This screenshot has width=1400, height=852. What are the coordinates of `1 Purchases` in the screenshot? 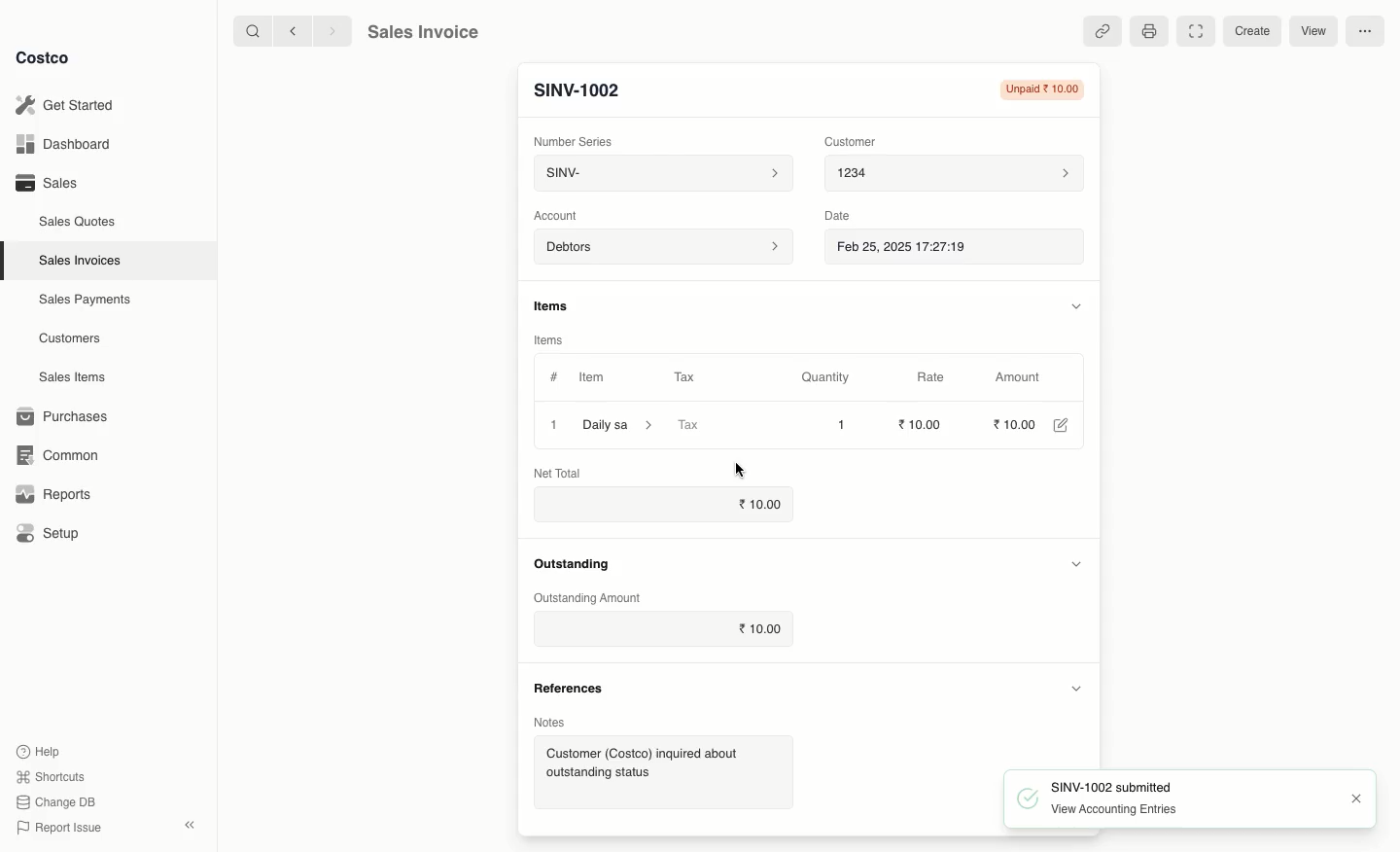 It's located at (67, 417).